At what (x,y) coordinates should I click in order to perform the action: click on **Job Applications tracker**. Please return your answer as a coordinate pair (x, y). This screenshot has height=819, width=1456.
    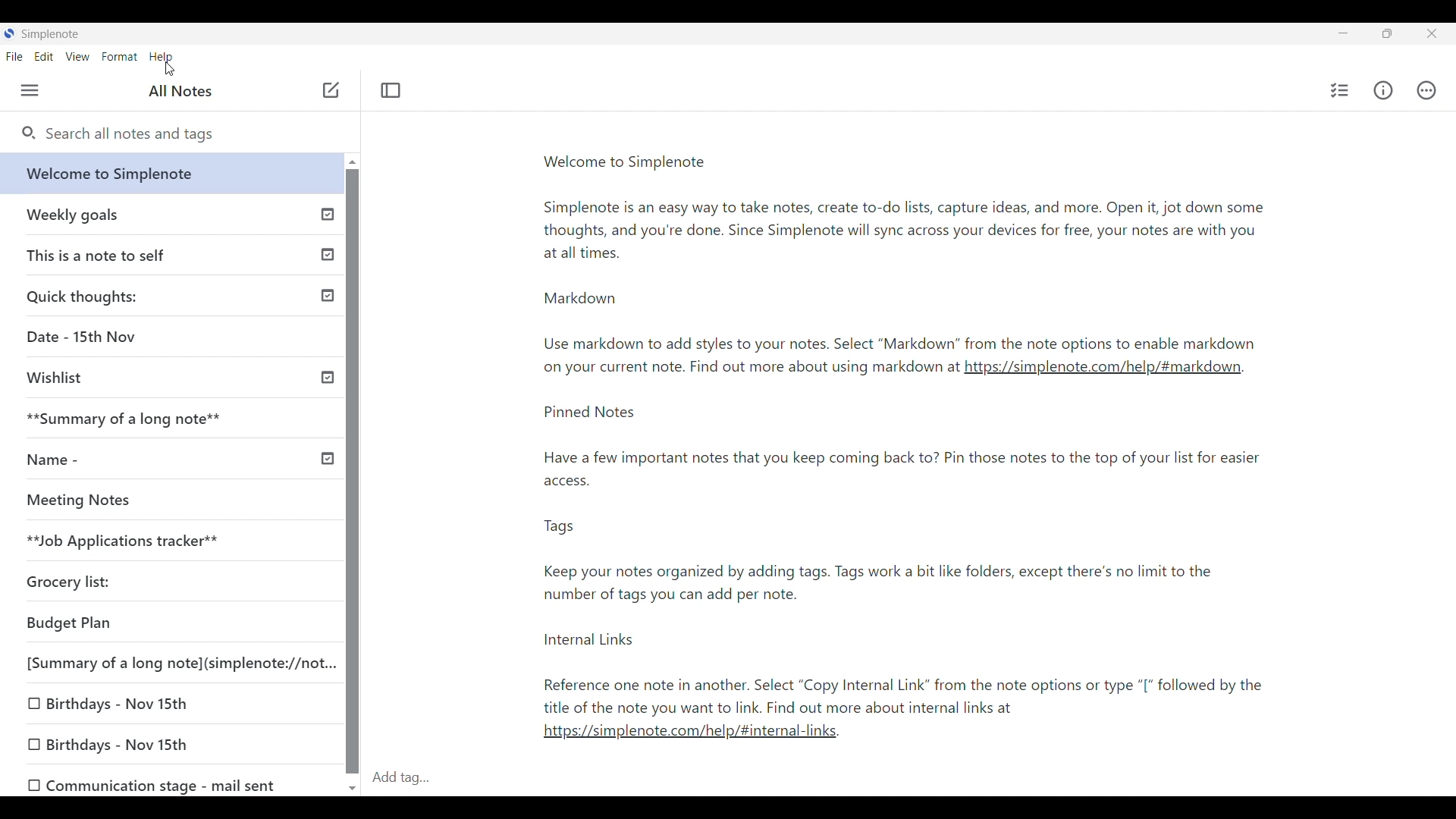
    Looking at the image, I should click on (121, 541).